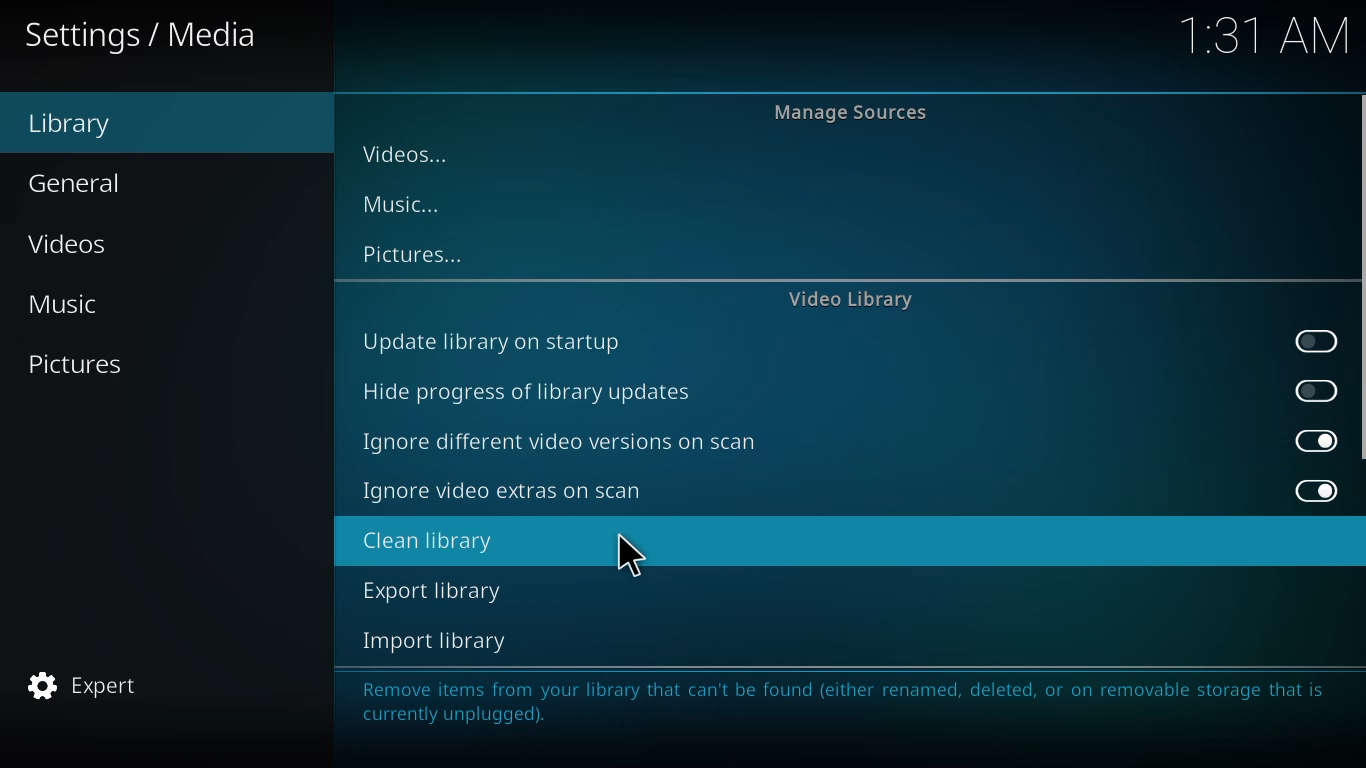 Image resolution: width=1366 pixels, height=768 pixels. I want to click on enable, so click(1318, 388).